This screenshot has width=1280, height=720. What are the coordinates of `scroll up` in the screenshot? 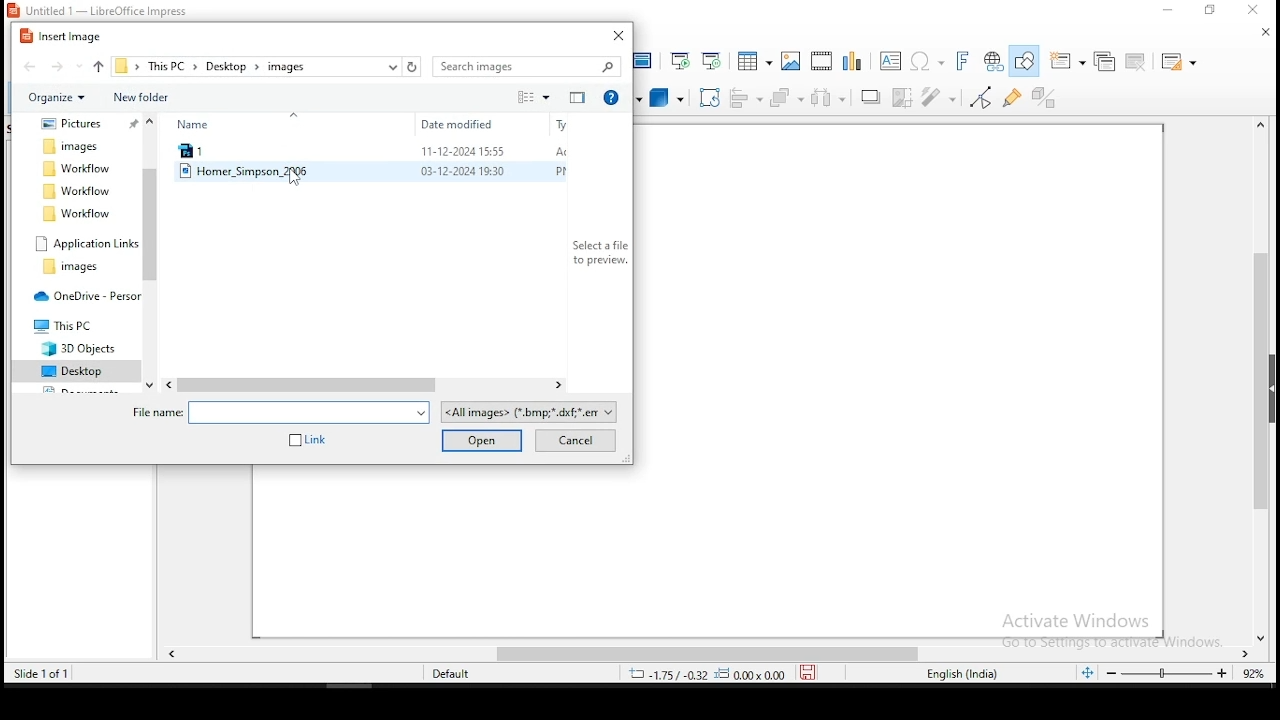 It's located at (155, 119).